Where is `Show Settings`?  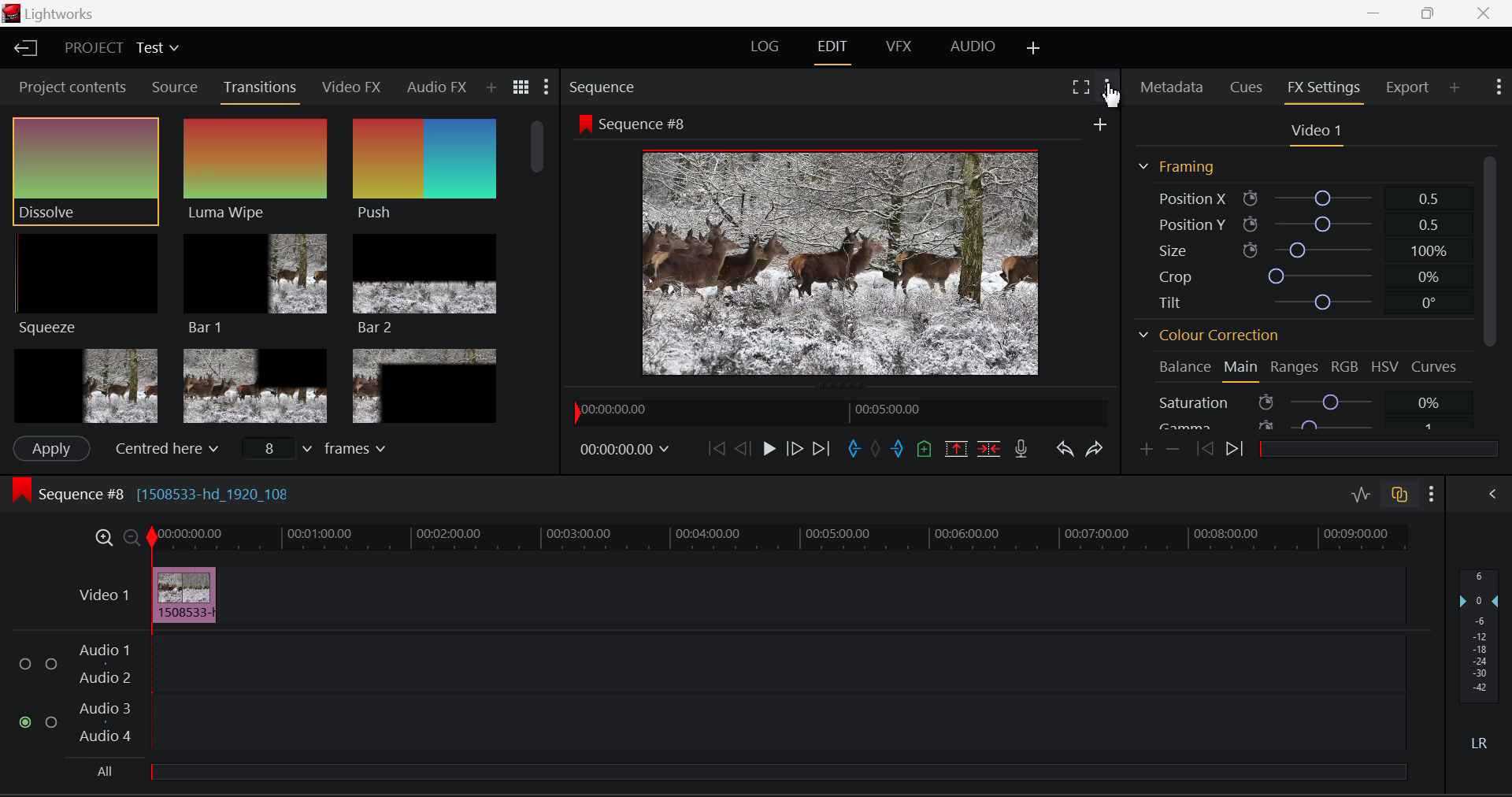 Show Settings is located at coordinates (1499, 85).